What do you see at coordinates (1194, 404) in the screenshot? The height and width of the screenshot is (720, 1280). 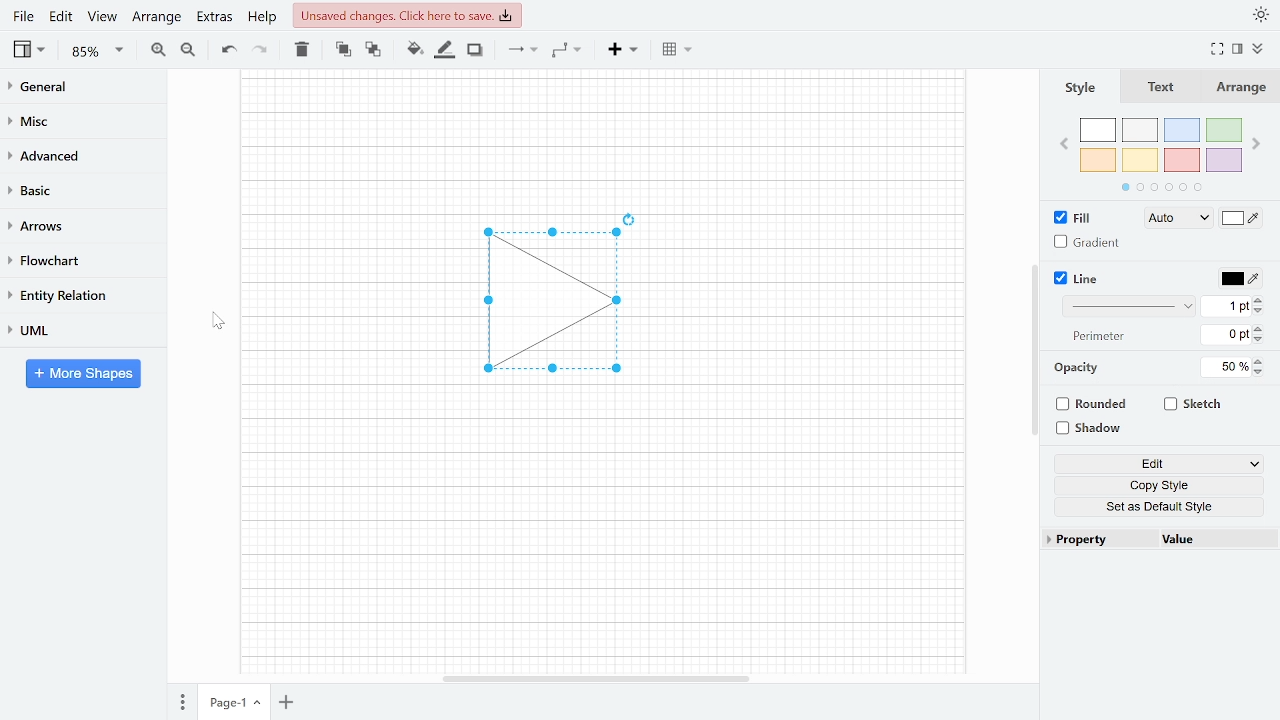 I see `Sketch` at bounding box center [1194, 404].